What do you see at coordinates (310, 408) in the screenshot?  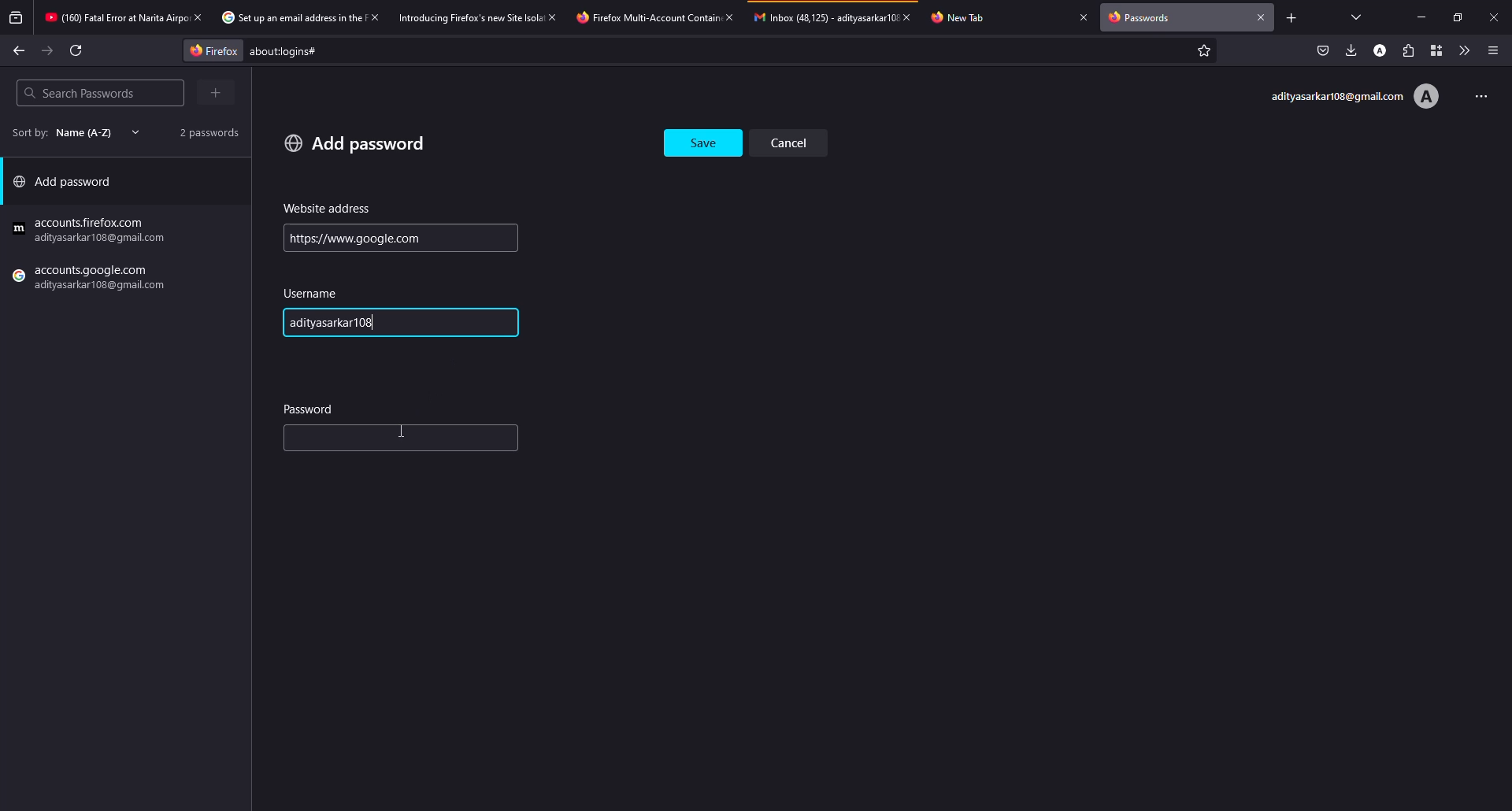 I see `password` at bounding box center [310, 408].